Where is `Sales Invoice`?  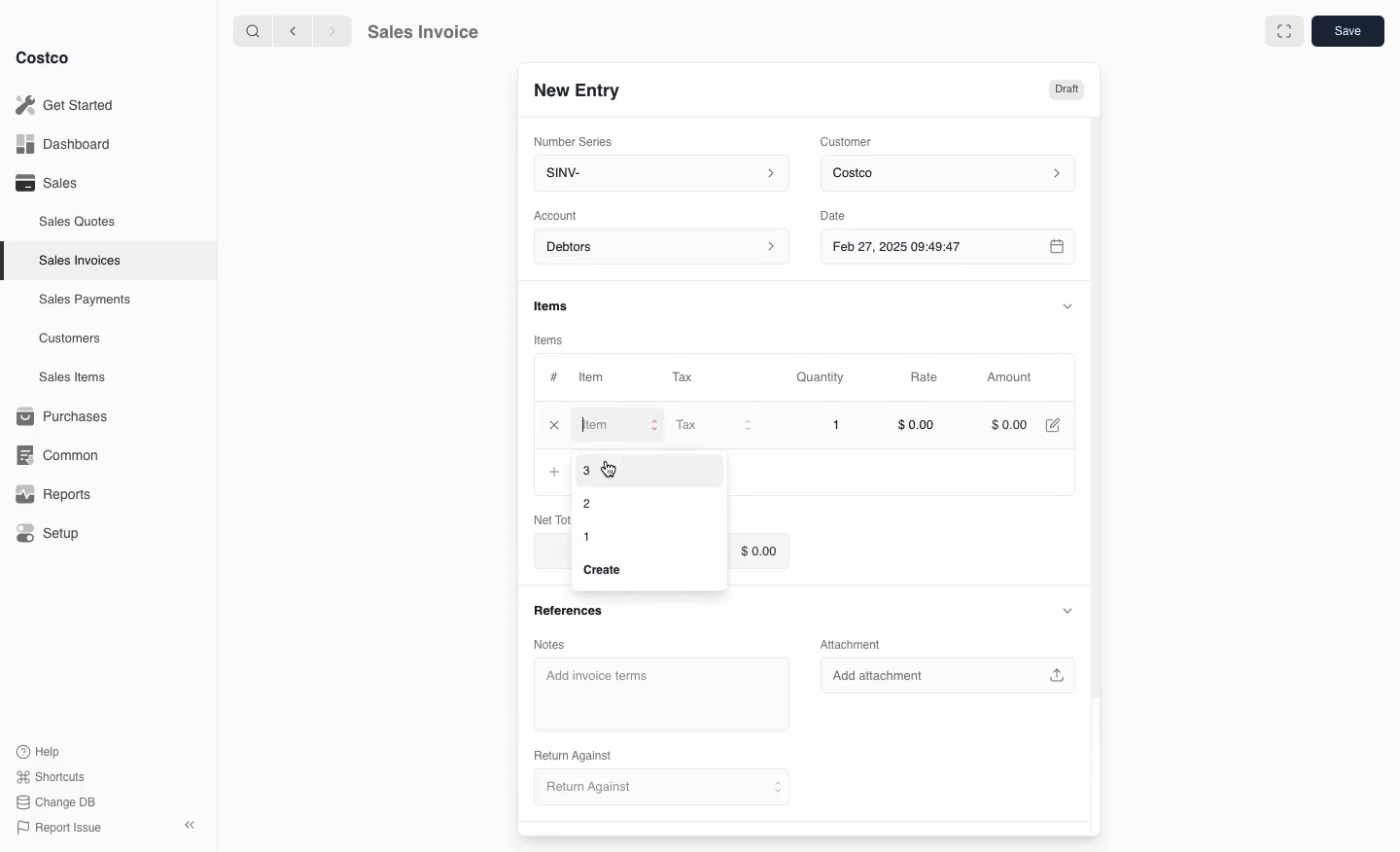 Sales Invoice is located at coordinates (422, 32).